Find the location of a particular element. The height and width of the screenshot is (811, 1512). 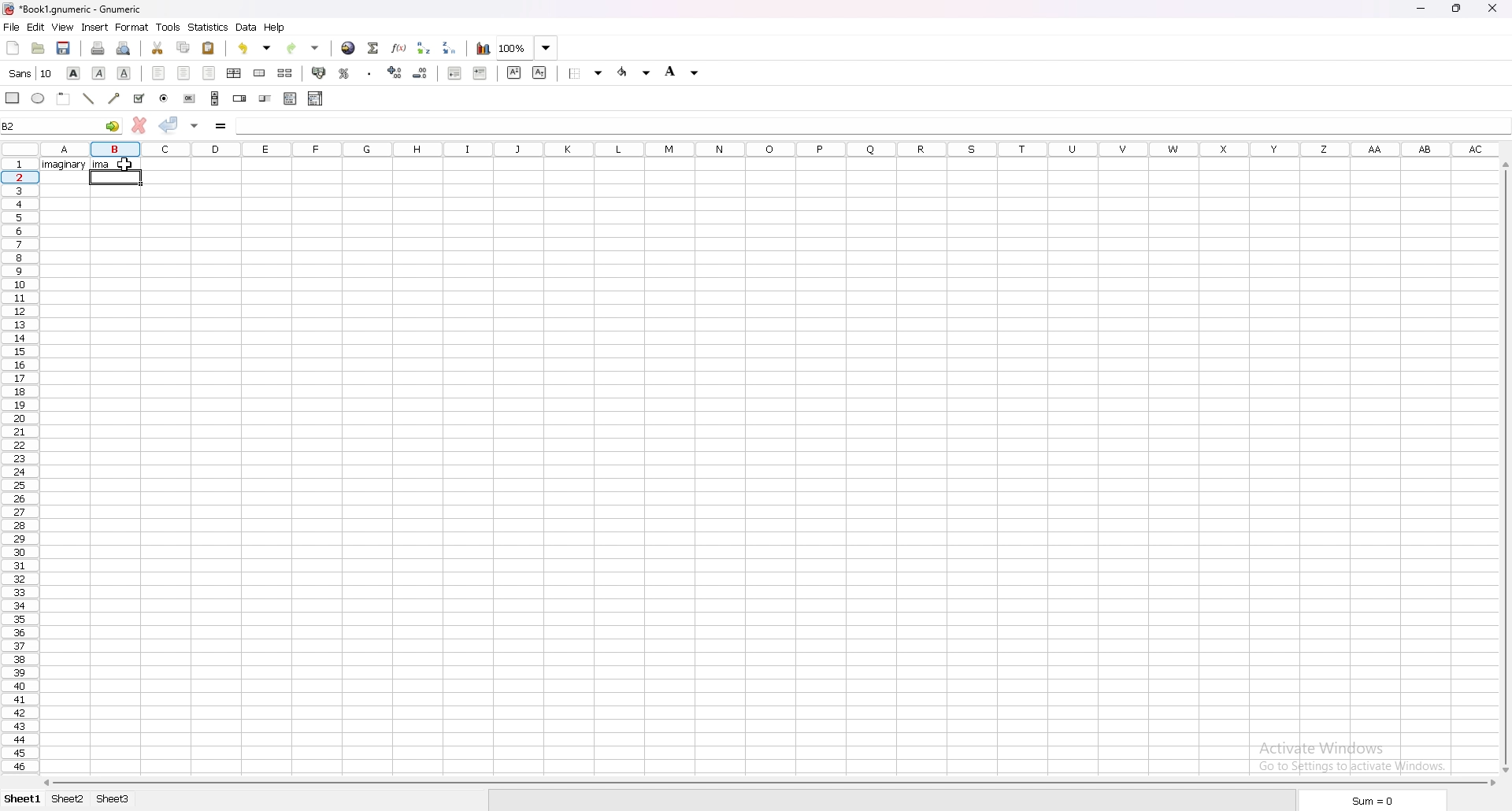

accept changes in all cells is located at coordinates (196, 125).